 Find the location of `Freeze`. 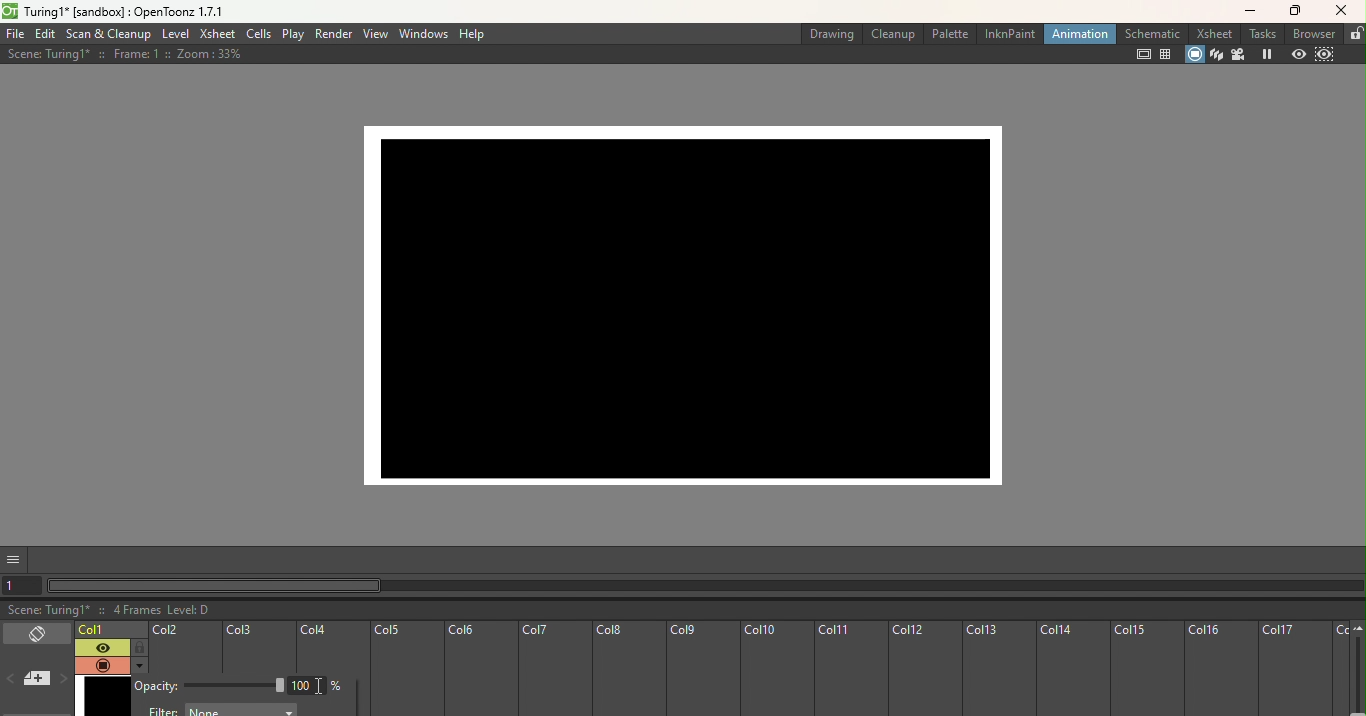

Freeze is located at coordinates (1264, 54).